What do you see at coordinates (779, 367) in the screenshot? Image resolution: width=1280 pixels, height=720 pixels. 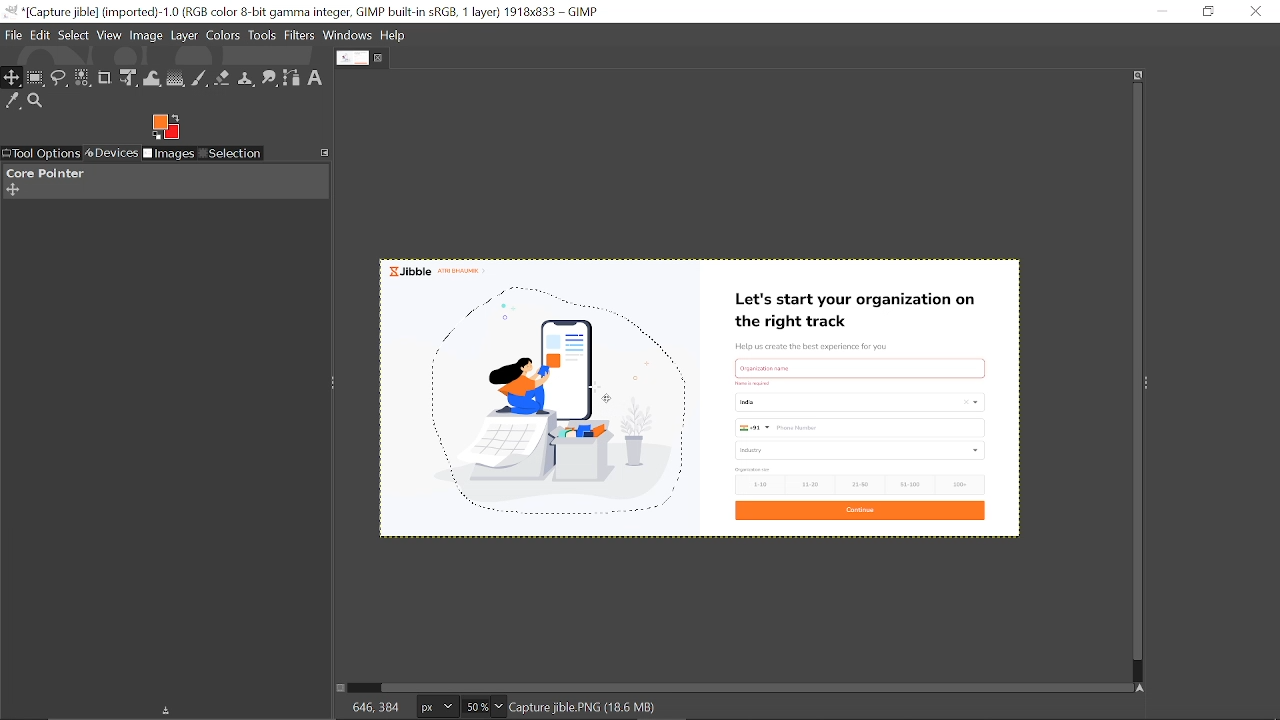 I see `text` at bounding box center [779, 367].